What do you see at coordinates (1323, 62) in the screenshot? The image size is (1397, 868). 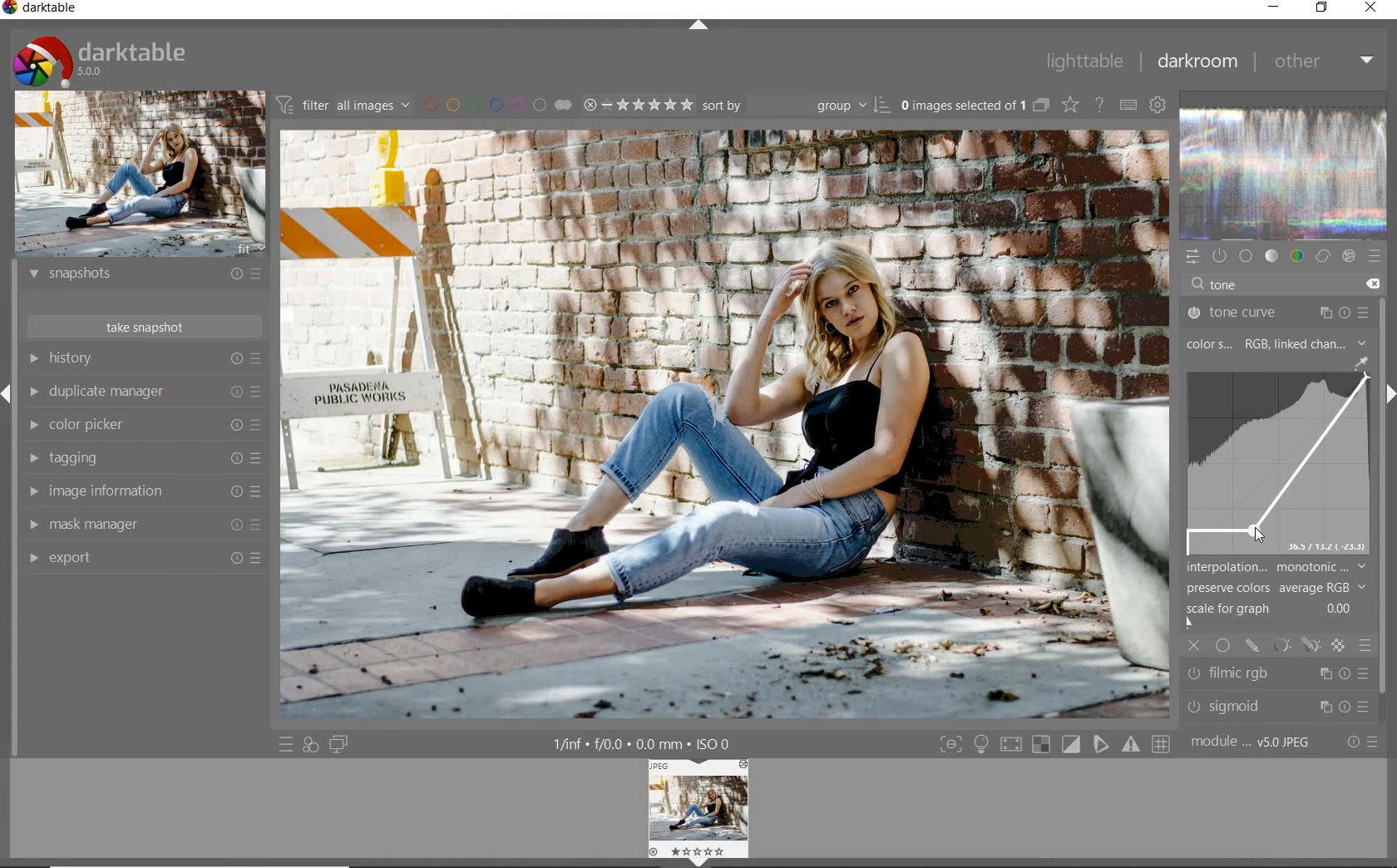 I see `other` at bounding box center [1323, 62].